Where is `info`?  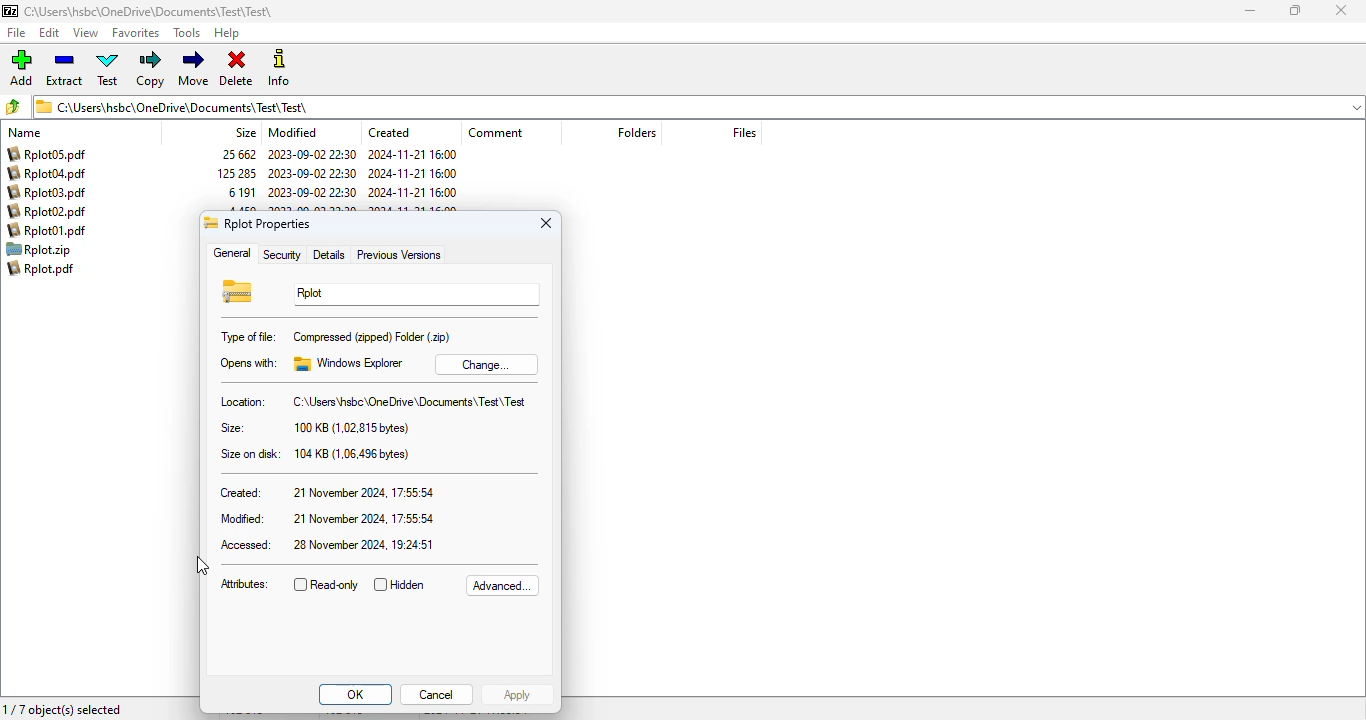 info is located at coordinates (281, 67).